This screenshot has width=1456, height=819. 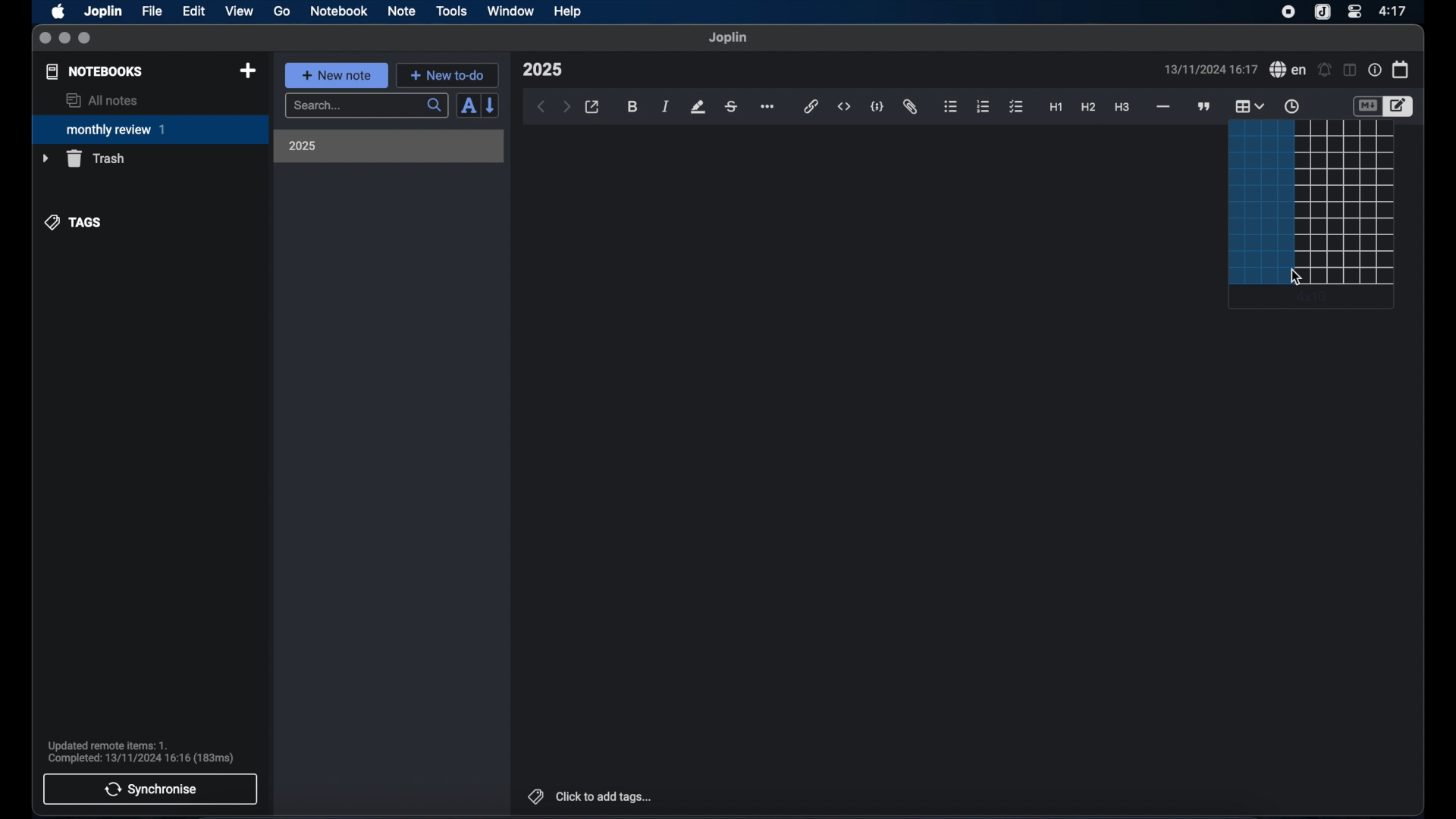 What do you see at coordinates (593, 108) in the screenshot?
I see `open in external editor` at bounding box center [593, 108].